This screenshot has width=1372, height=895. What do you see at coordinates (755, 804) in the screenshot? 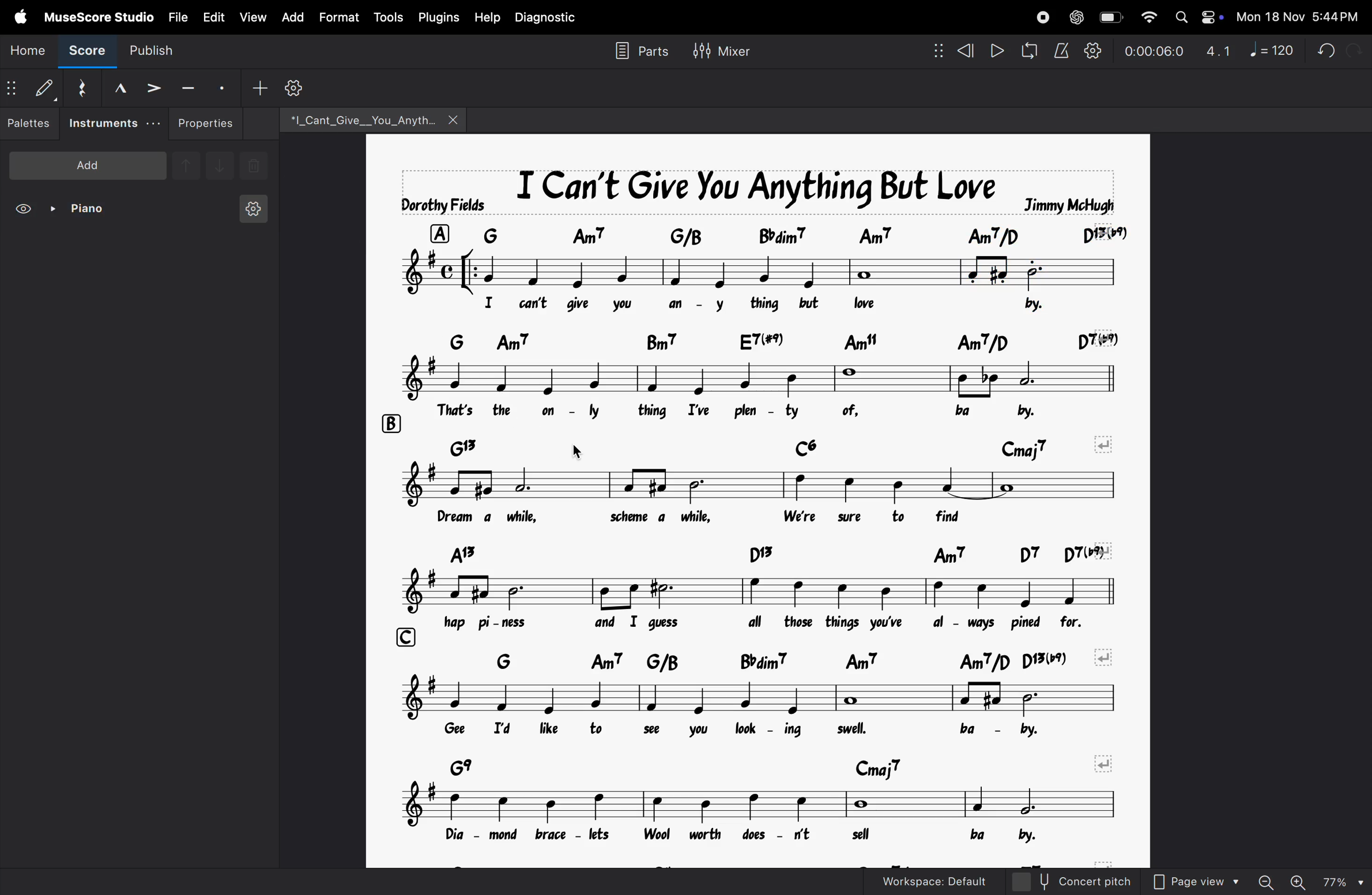
I see `notes` at bounding box center [755, 804].